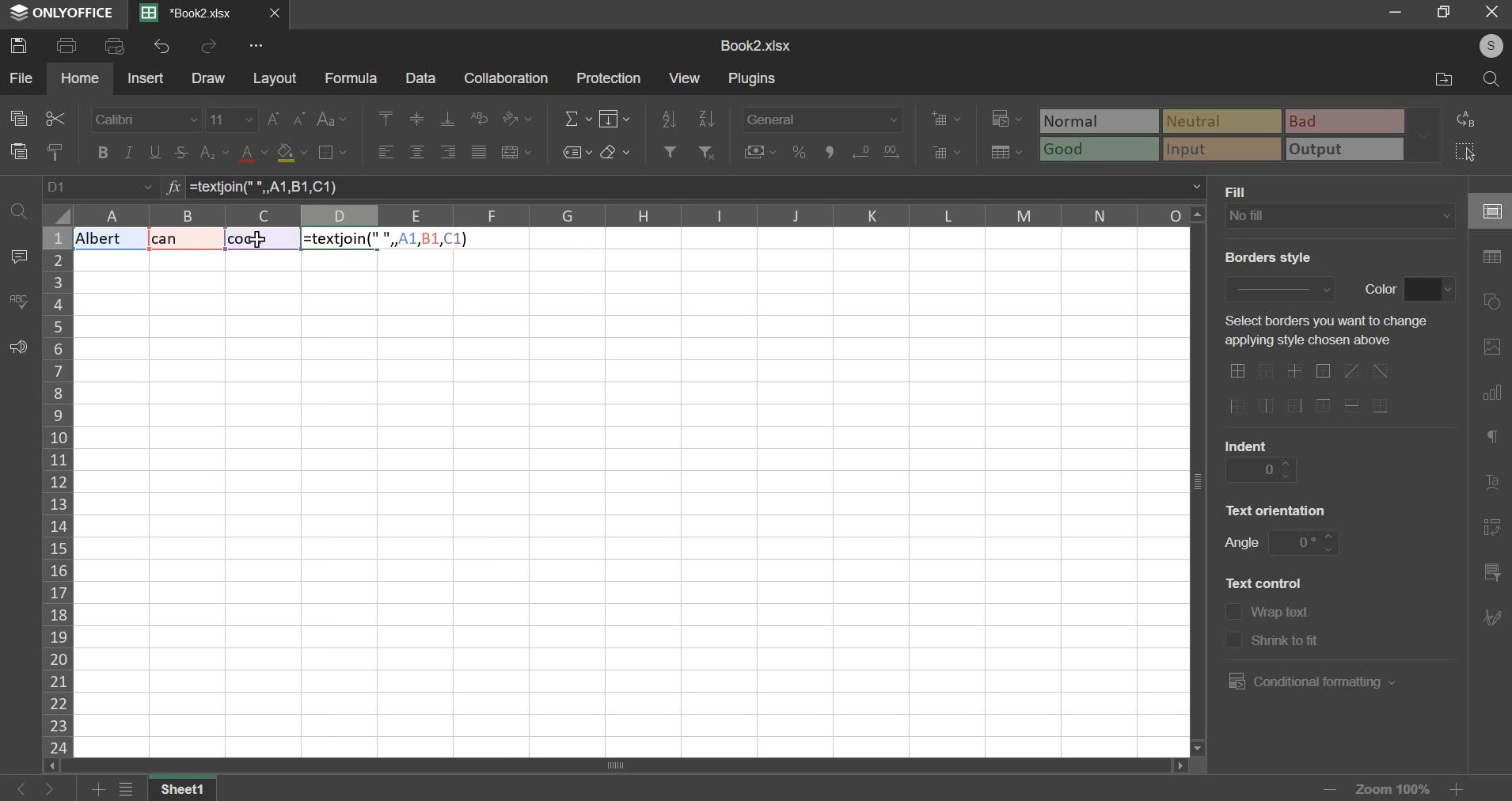 This screenshot has width=1512, height=801. I want to click on indent, so click(1261, 469).